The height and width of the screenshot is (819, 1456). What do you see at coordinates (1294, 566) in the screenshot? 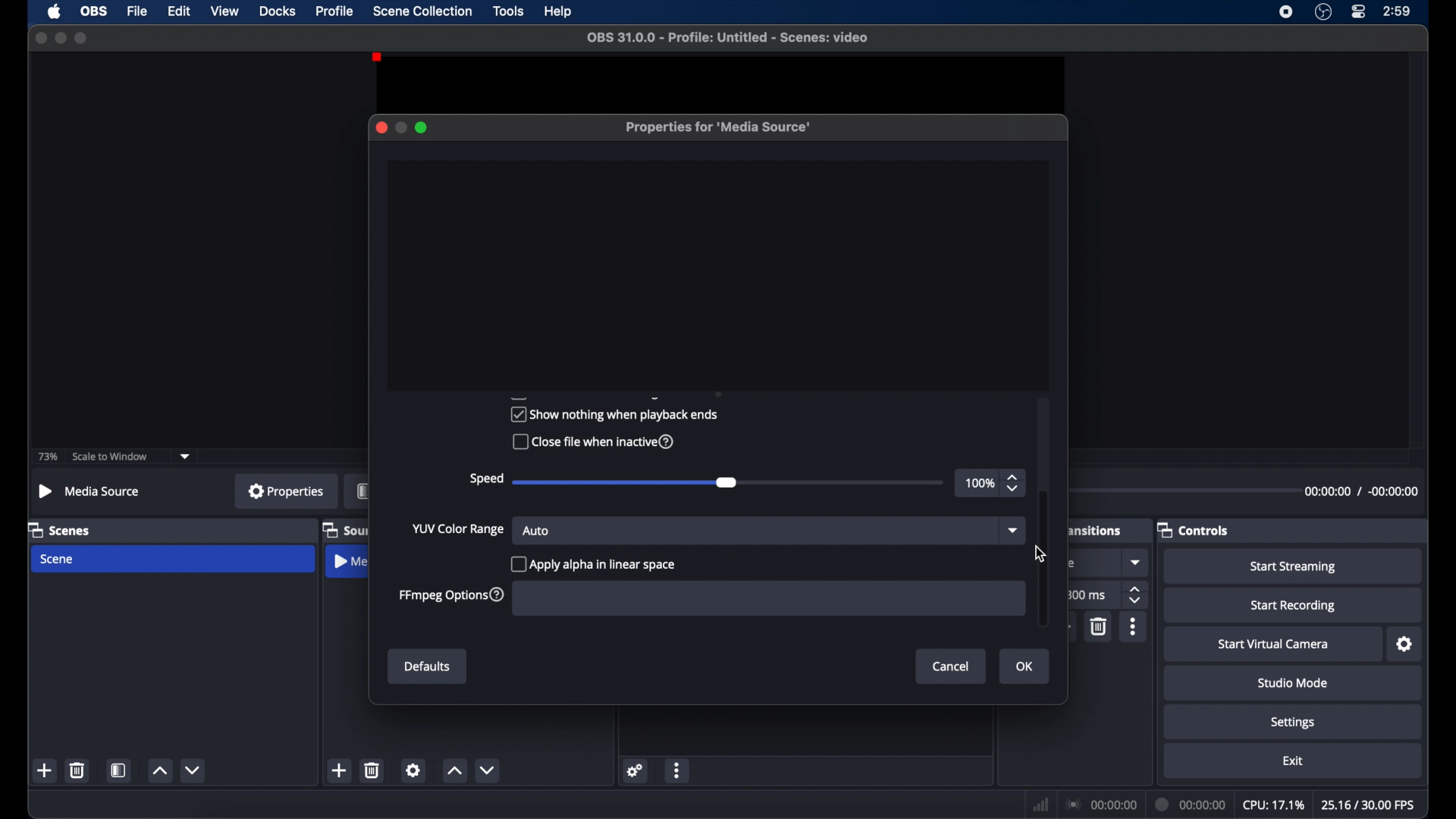
I see `start streaming` at bounding box center [1294, 566].